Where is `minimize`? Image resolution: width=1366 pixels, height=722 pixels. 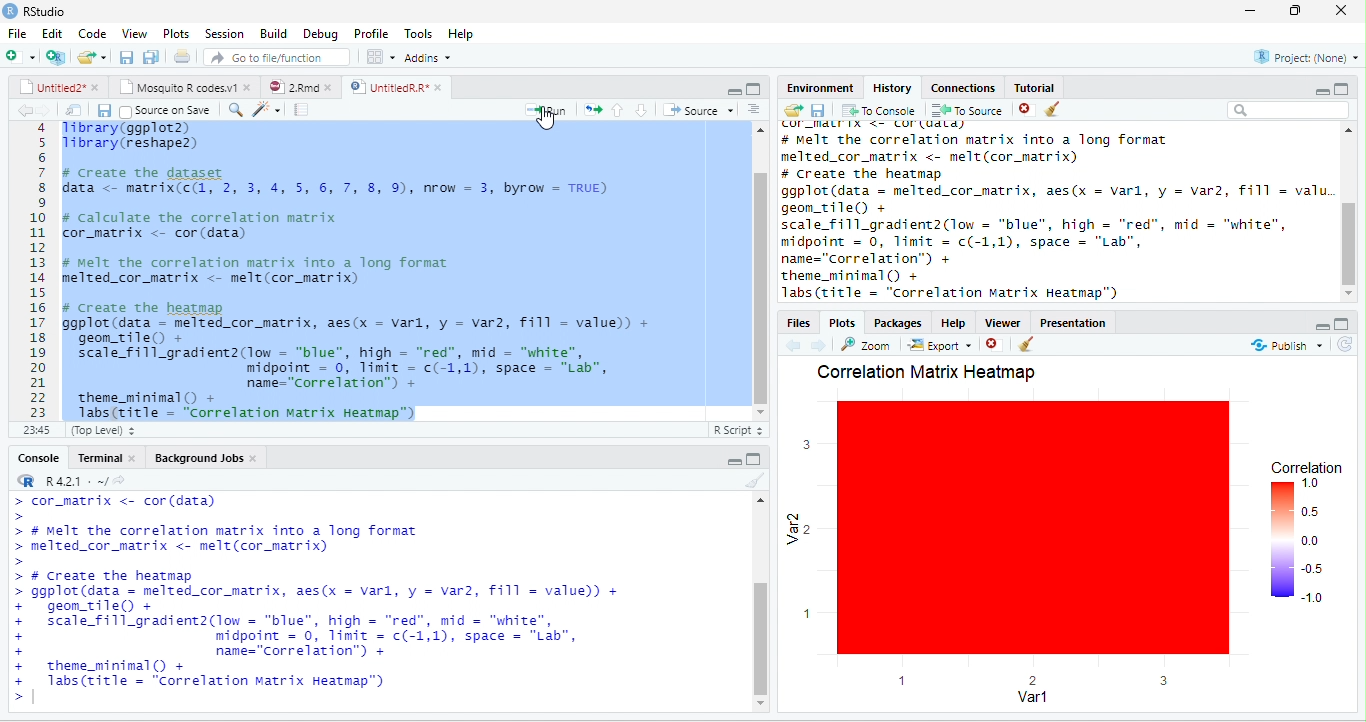 minimize is located at coordinates (728, 89).